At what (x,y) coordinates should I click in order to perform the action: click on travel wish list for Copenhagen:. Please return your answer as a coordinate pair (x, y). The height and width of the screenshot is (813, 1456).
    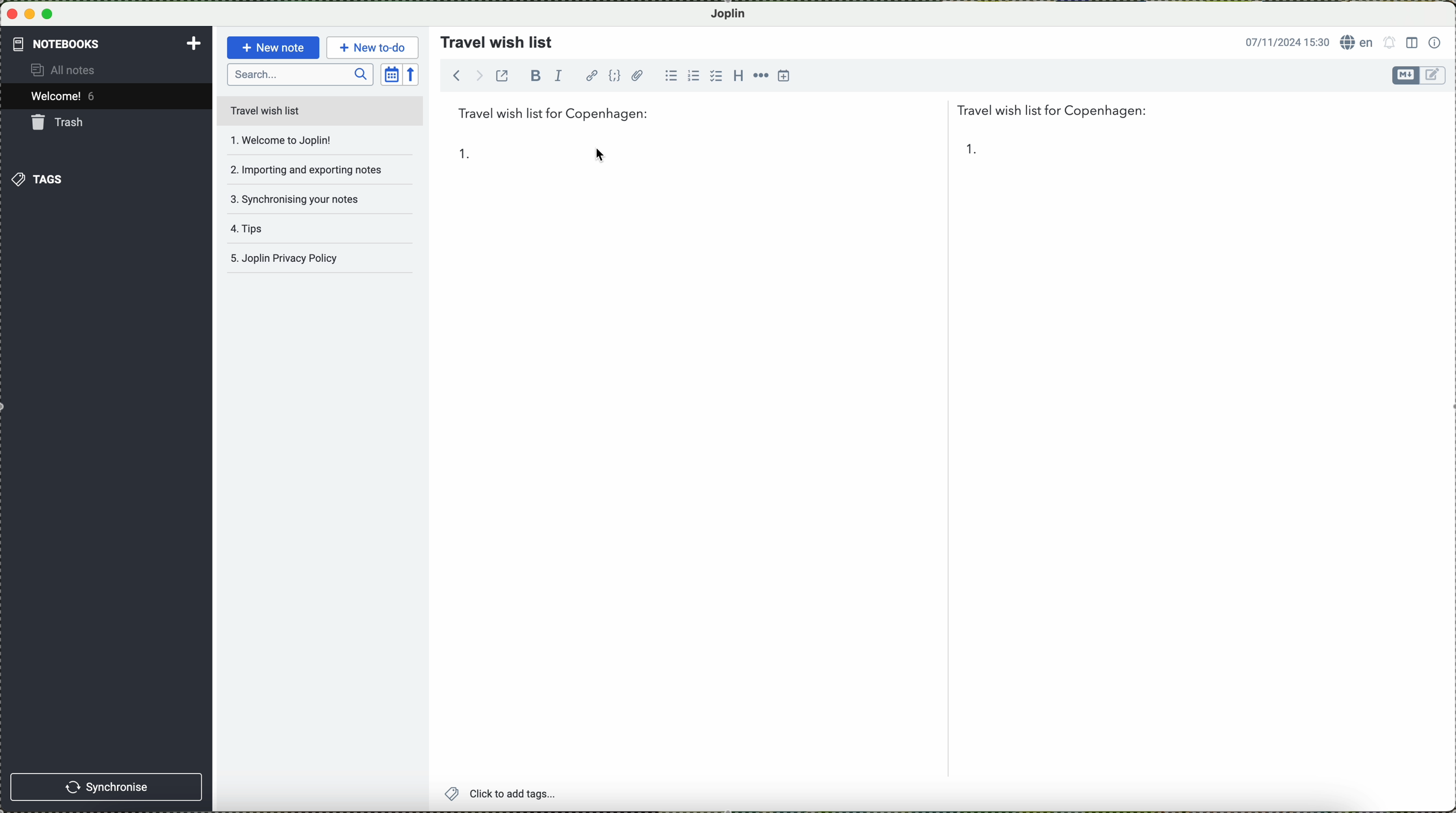
    Looking at the image, I should click on (809, 116).